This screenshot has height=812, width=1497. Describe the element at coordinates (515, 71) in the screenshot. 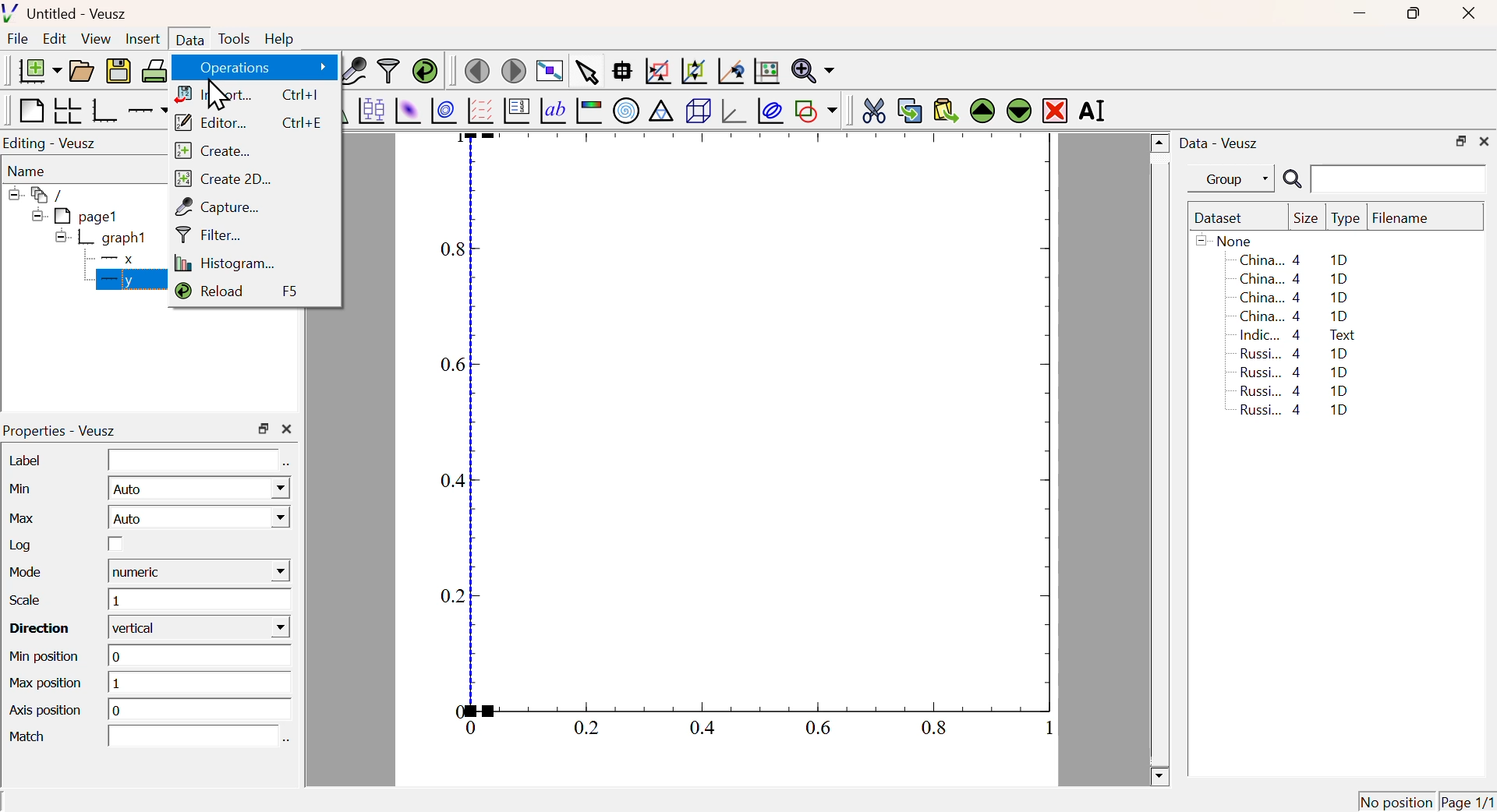

I see `Move to next page` at that location.